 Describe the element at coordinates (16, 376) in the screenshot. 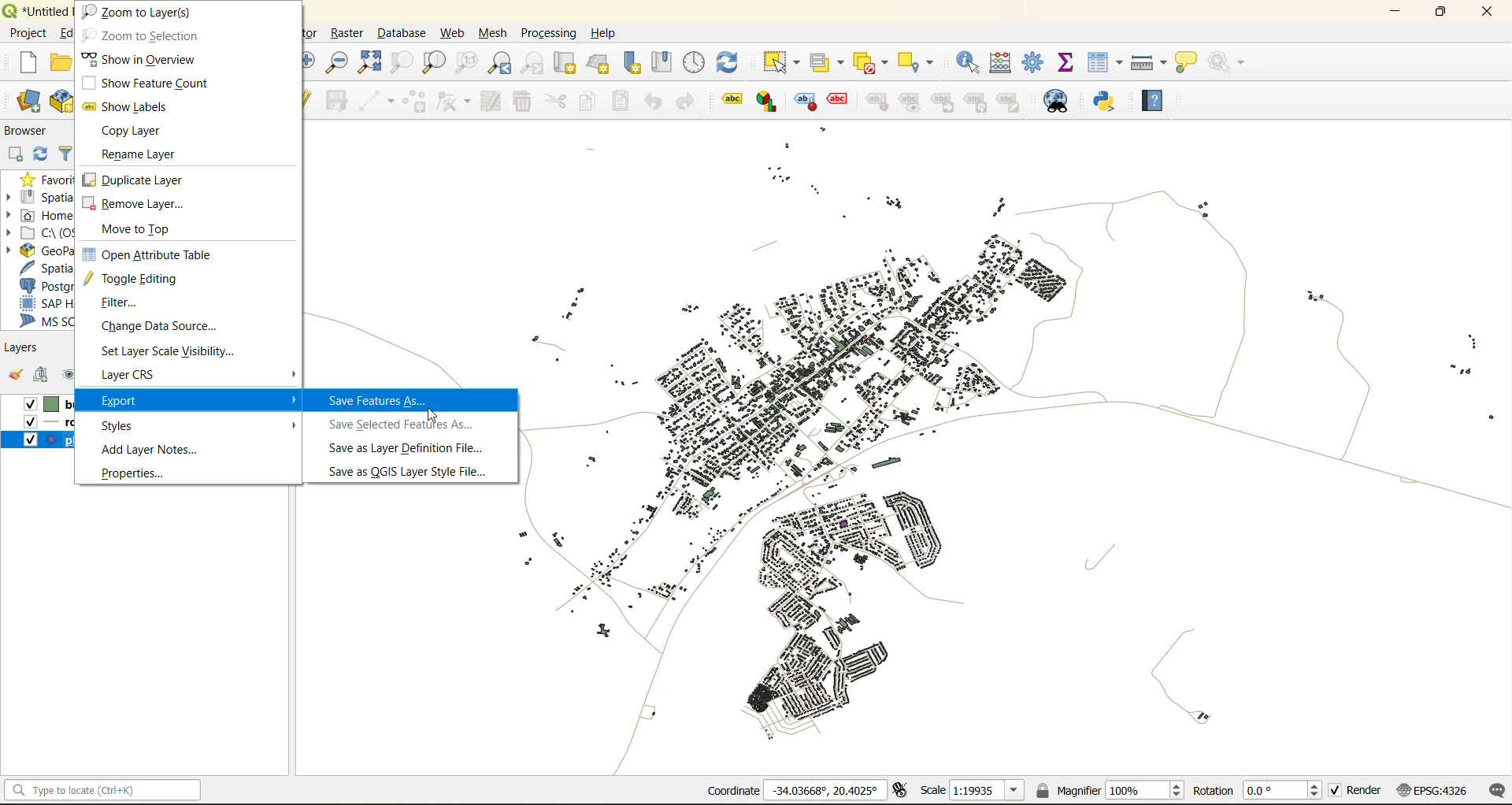

I see `open` at that location.